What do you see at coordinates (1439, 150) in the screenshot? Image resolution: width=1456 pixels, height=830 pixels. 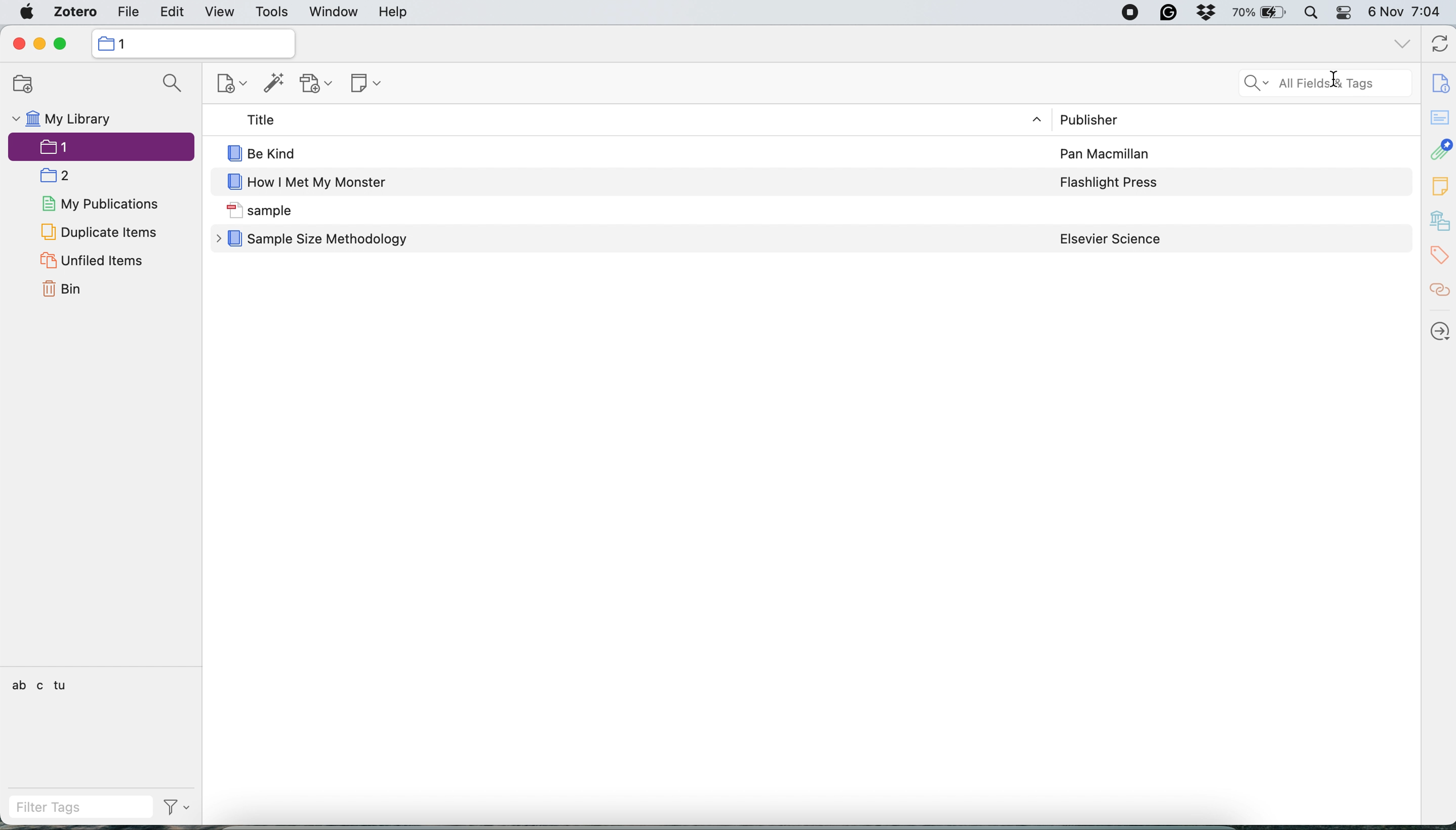 I see `attachment` at bounding box center [1439, 150].